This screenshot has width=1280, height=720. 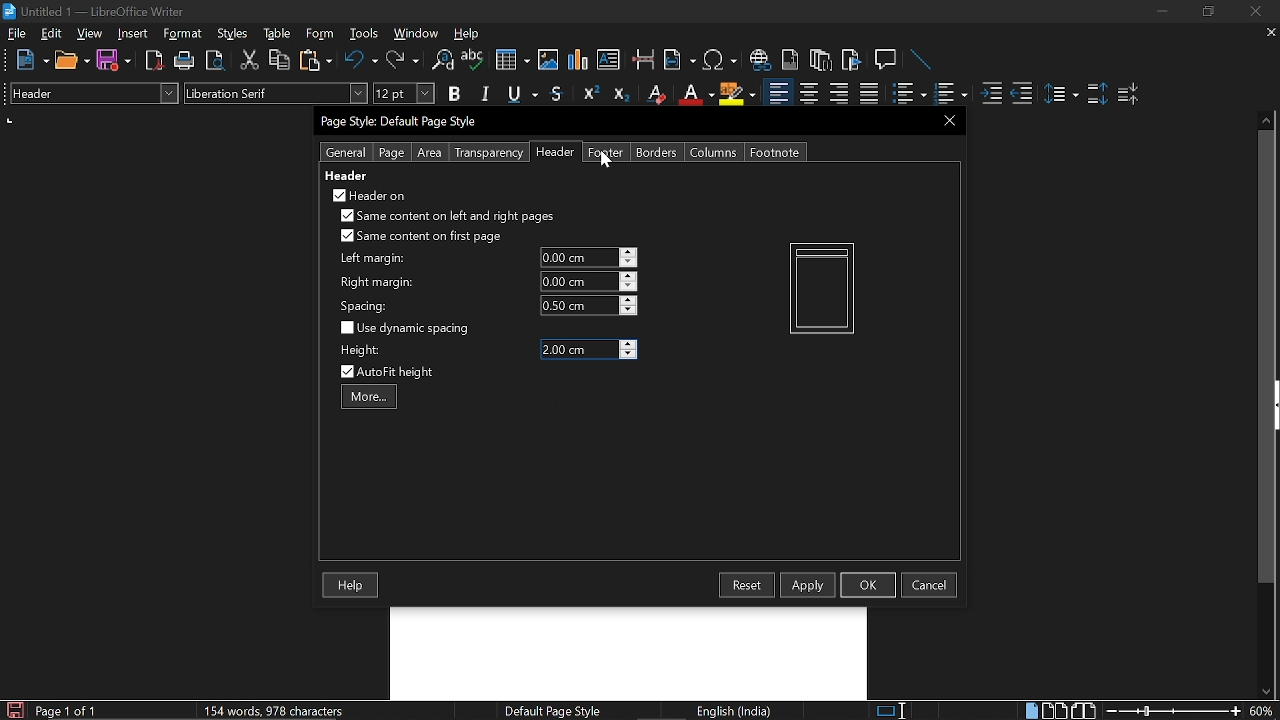 What do you see at coordinates (929, 585) in the screenshot?
I see `cancel` at bounding box center [929, 585].